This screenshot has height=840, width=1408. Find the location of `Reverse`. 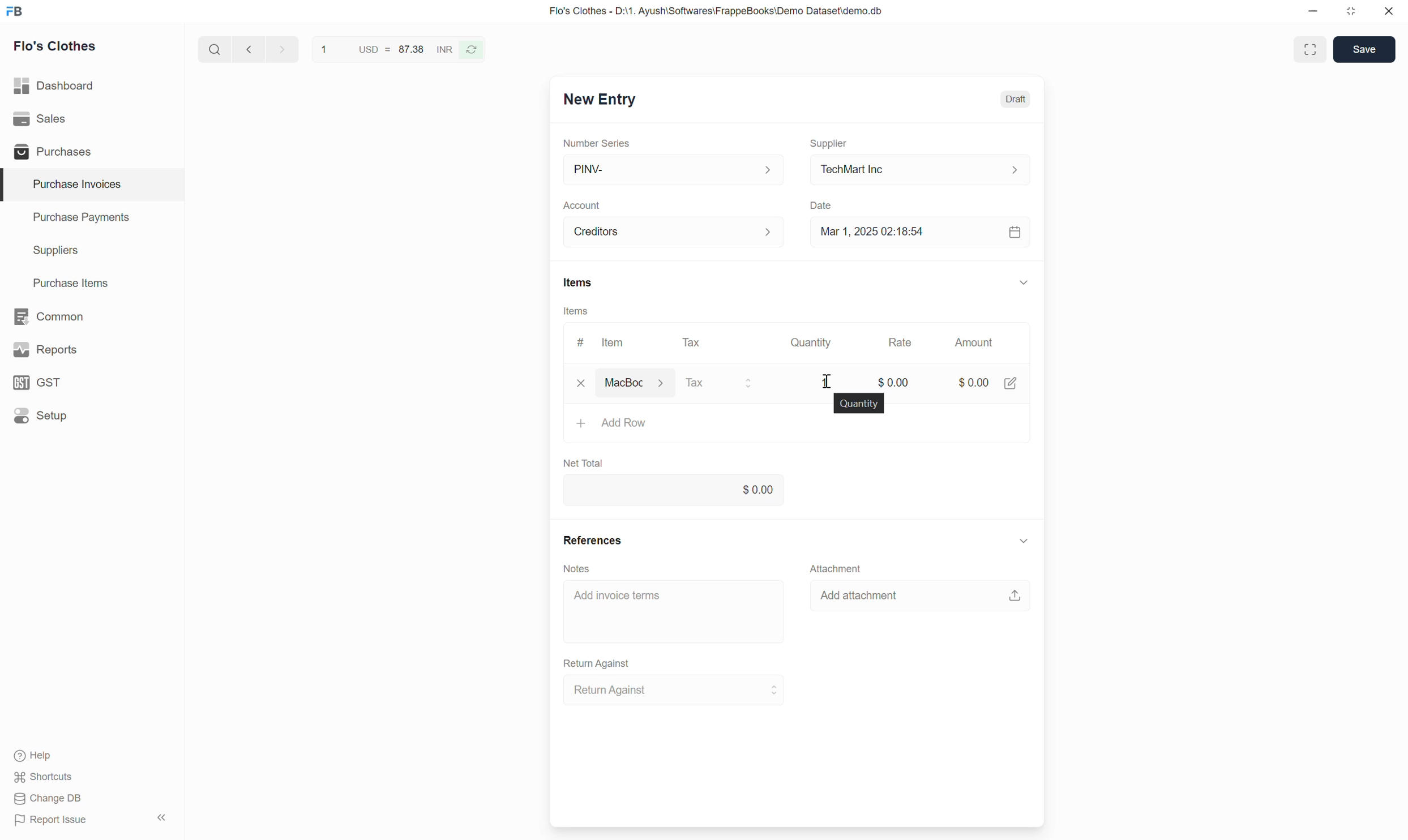

Reverse is located at coordinates (472, 50).